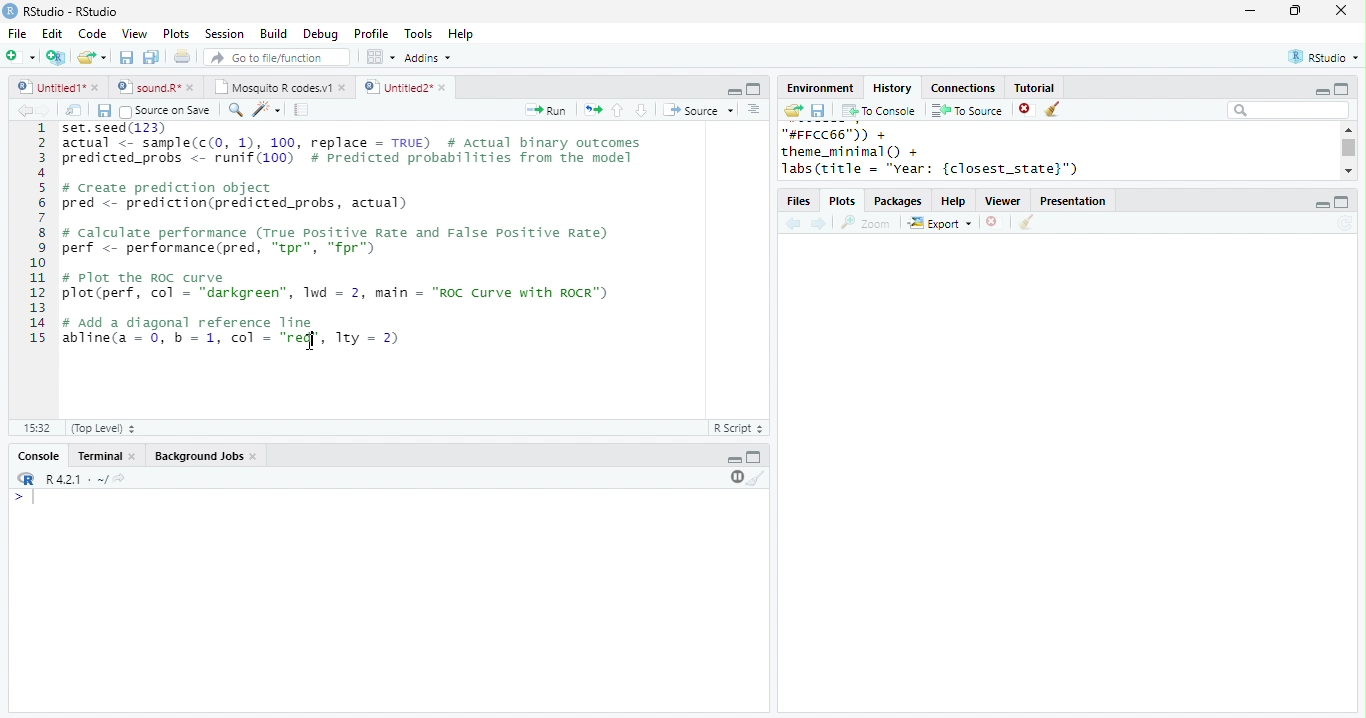 The height and width of the screenshot is (718, 1366). Describe the element at coordinates (273, 34) in the screenshot. I see `Build` at that location.